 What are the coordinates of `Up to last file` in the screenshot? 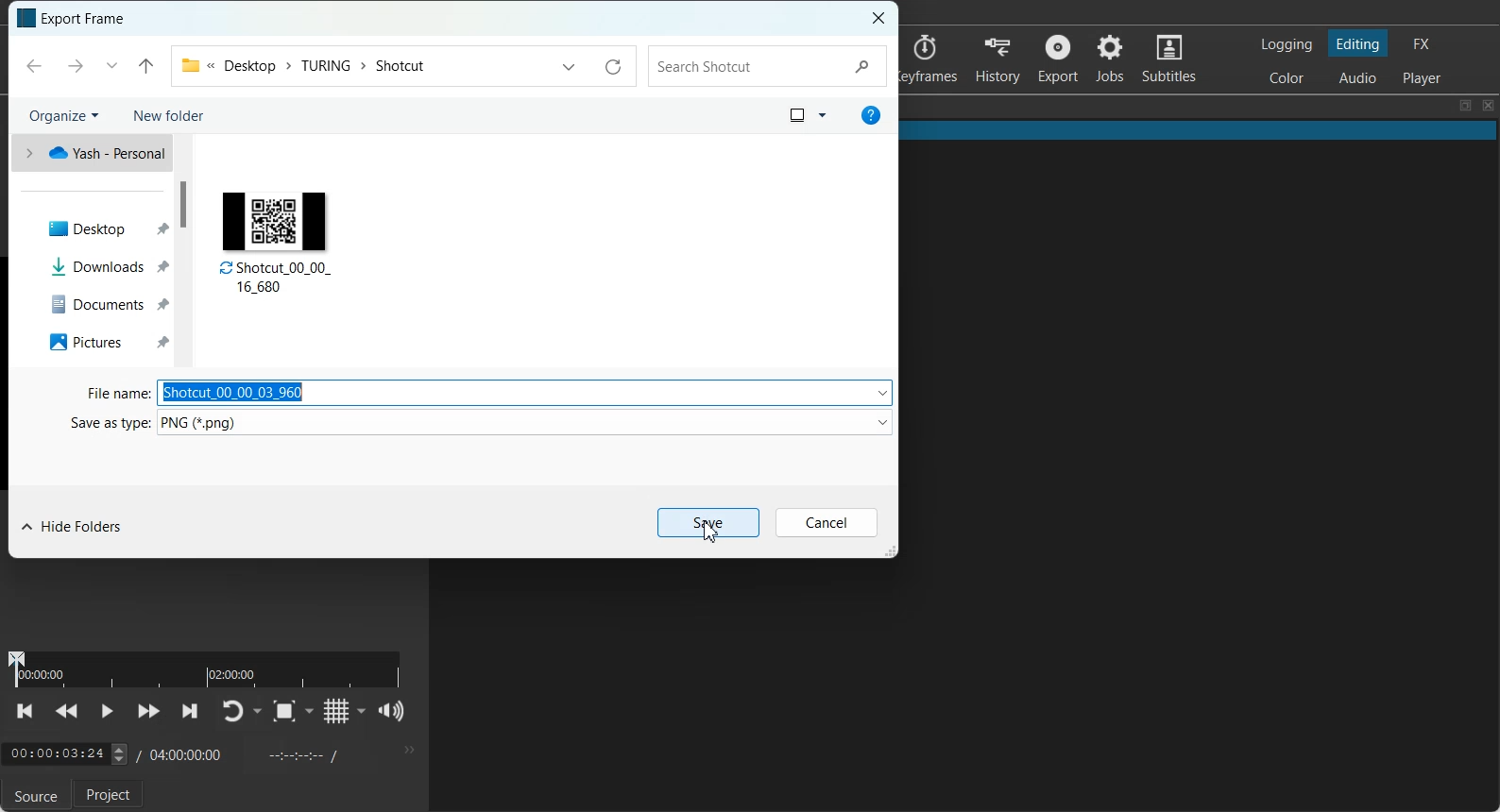 It's located at (146, 65).